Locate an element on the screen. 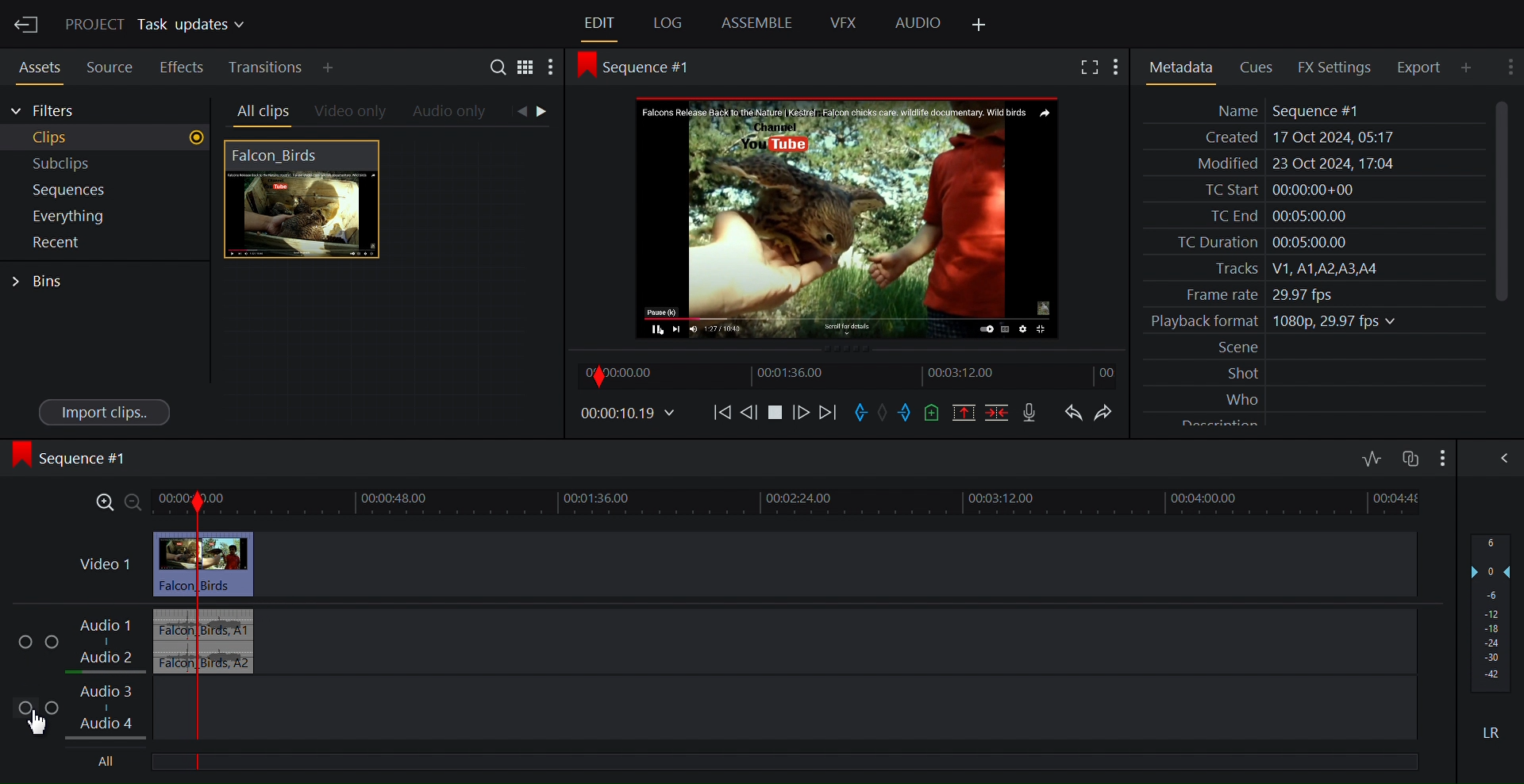 This screenshot has width=1524, height=784. audio 1 is located at coordinates (232, 625).